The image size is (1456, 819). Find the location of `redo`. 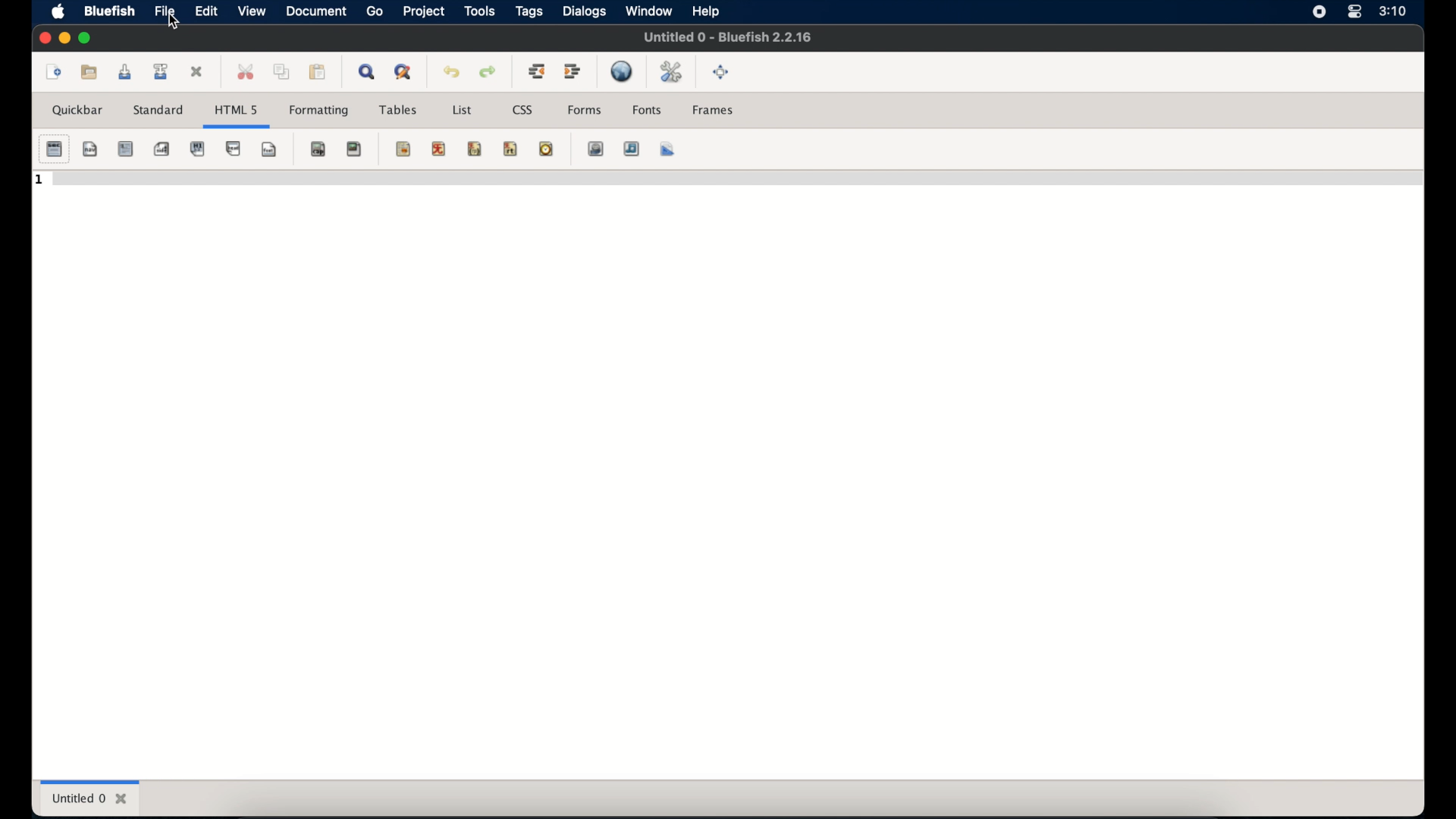

redo is located at coordinates (488, 72).